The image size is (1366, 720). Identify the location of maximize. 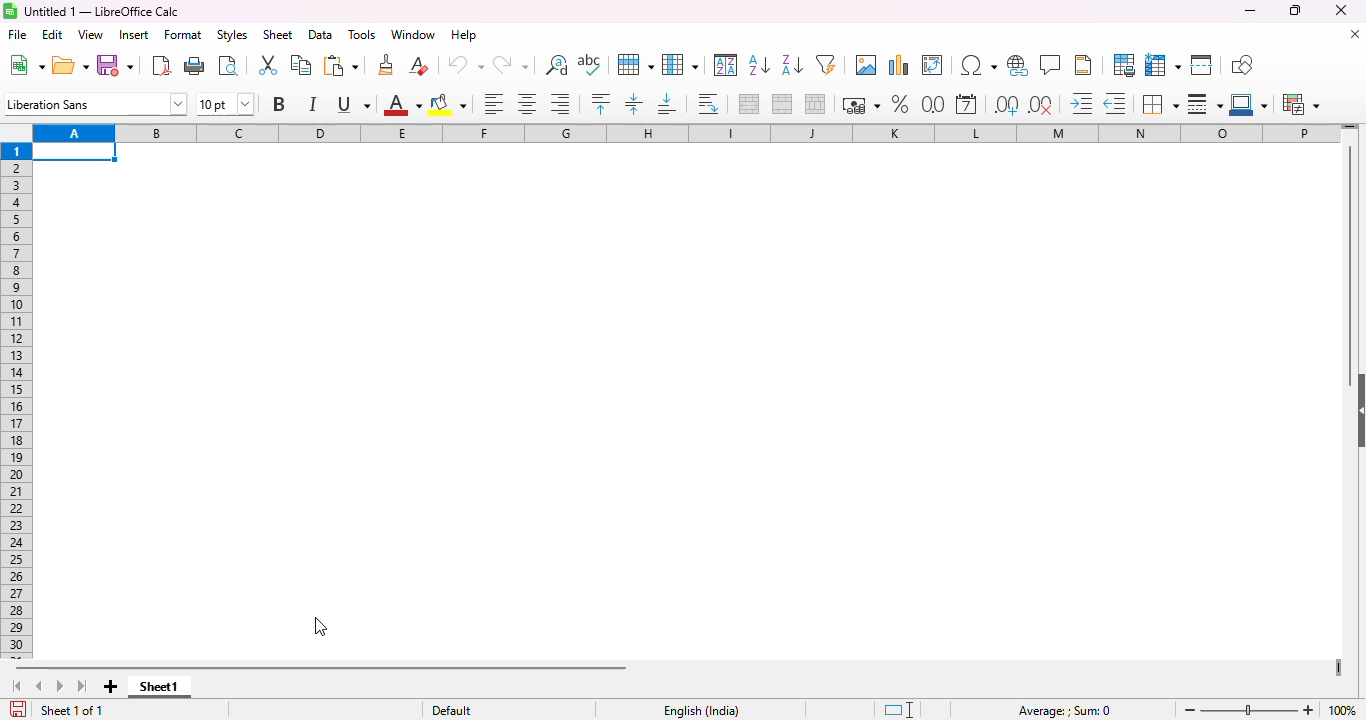
(1295, 10).